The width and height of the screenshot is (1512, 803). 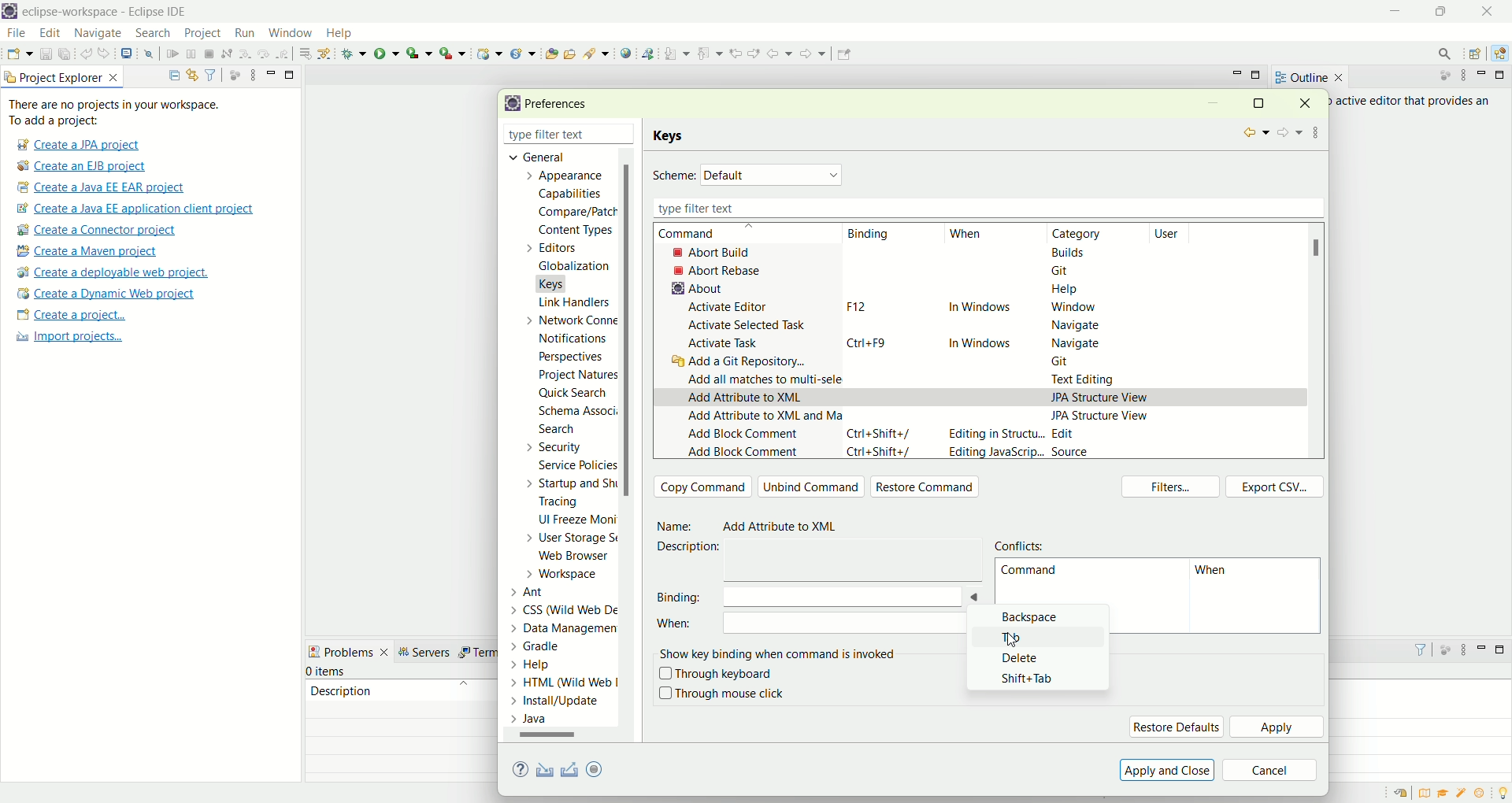 I want to click on overview, so click(x=1428, y=793).